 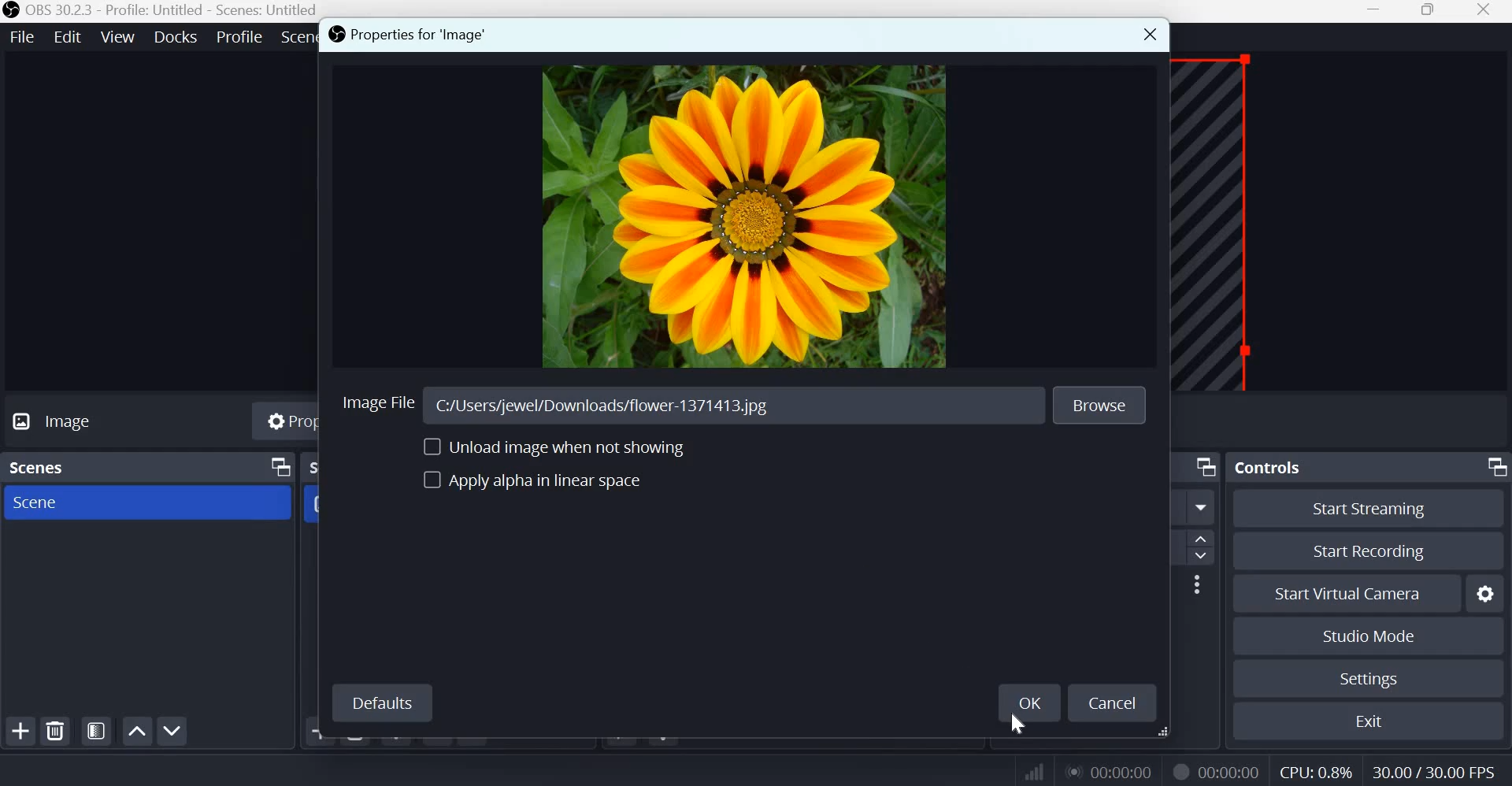 I want to click on Start virtual camera, so click(x=1359, y=591).